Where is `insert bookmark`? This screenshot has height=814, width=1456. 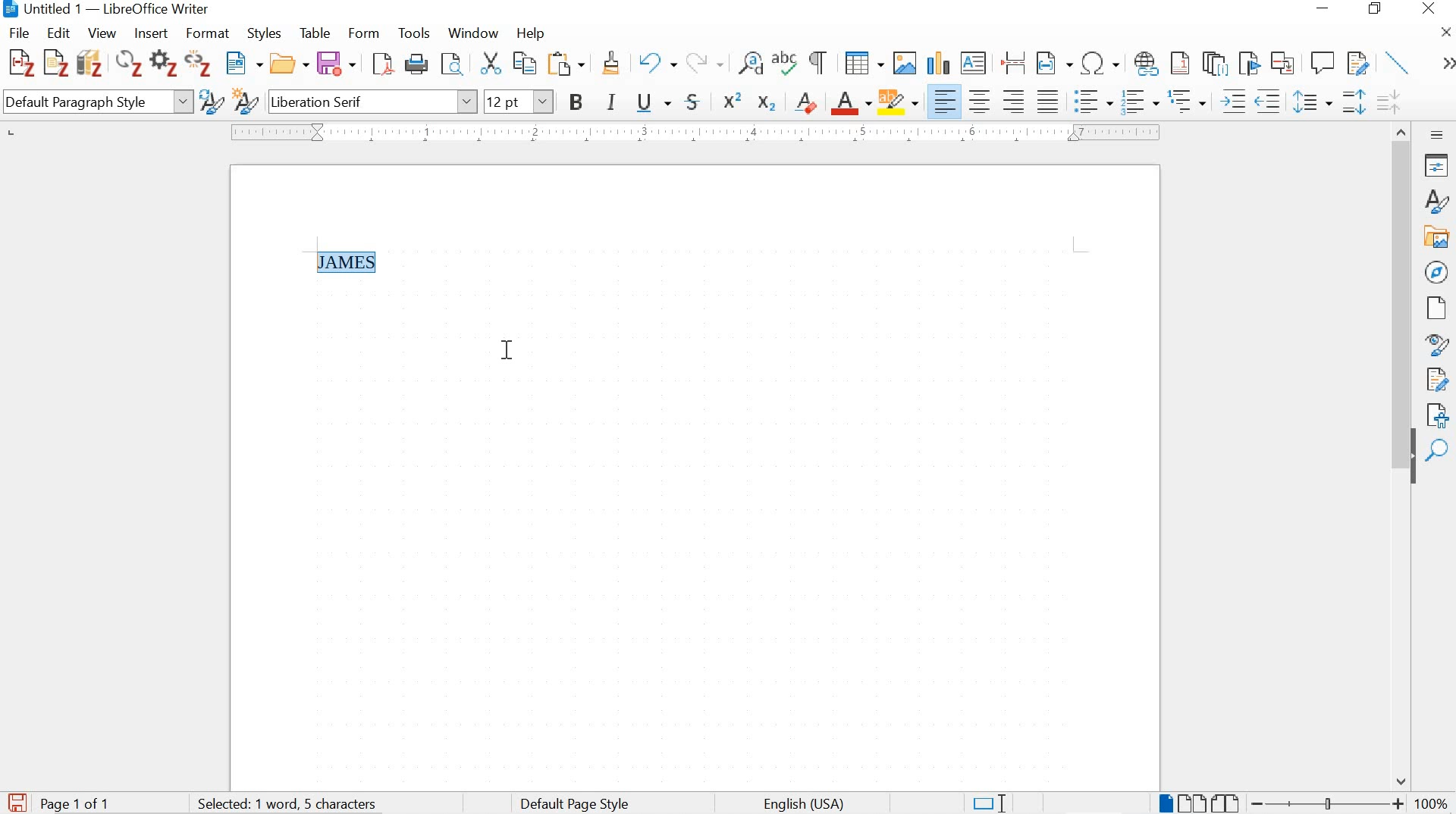
insert bookmark is located at coordinates (1247, 63).